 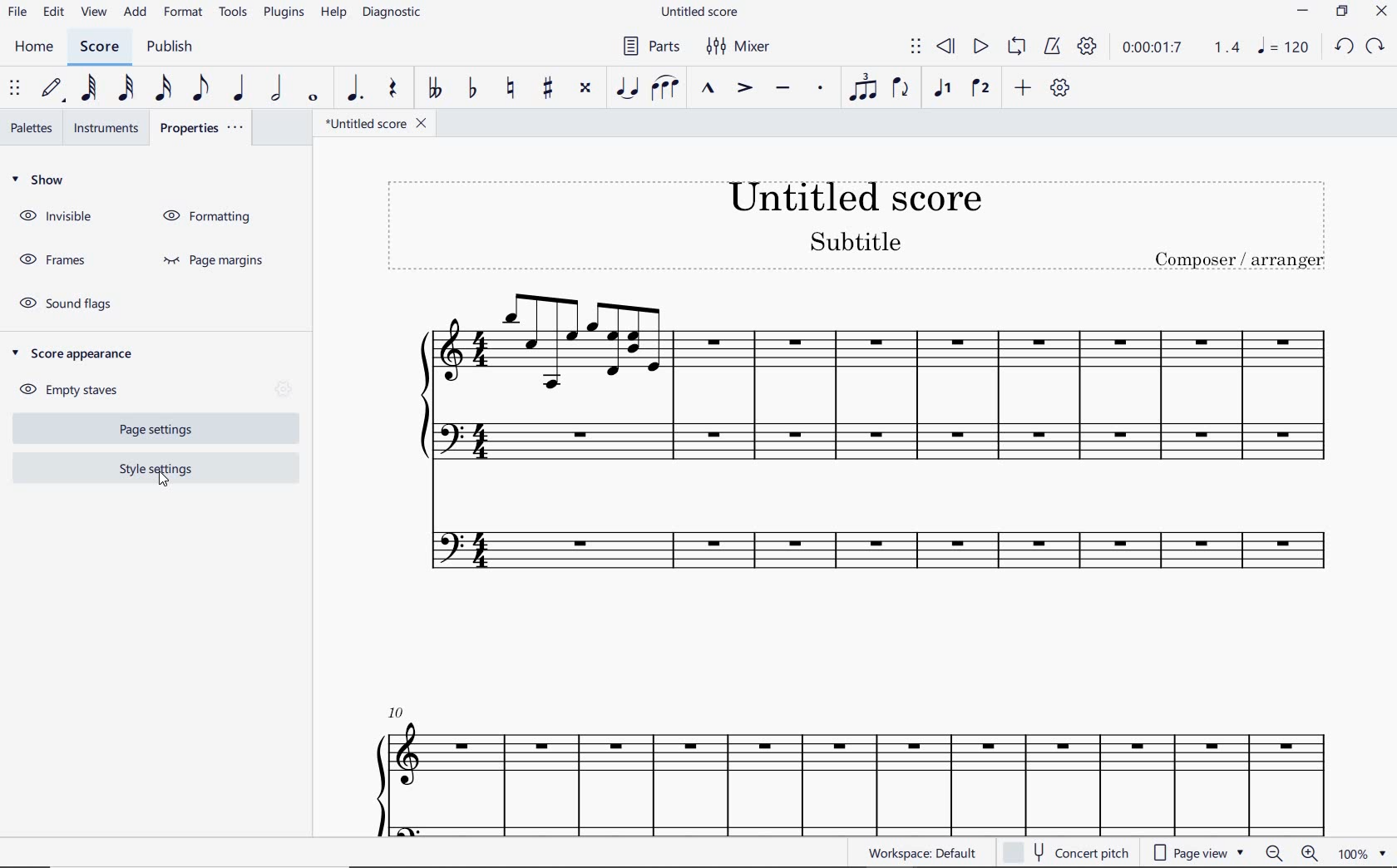 I want to click on INSTRUMENTS, so click(x=111, y=126).